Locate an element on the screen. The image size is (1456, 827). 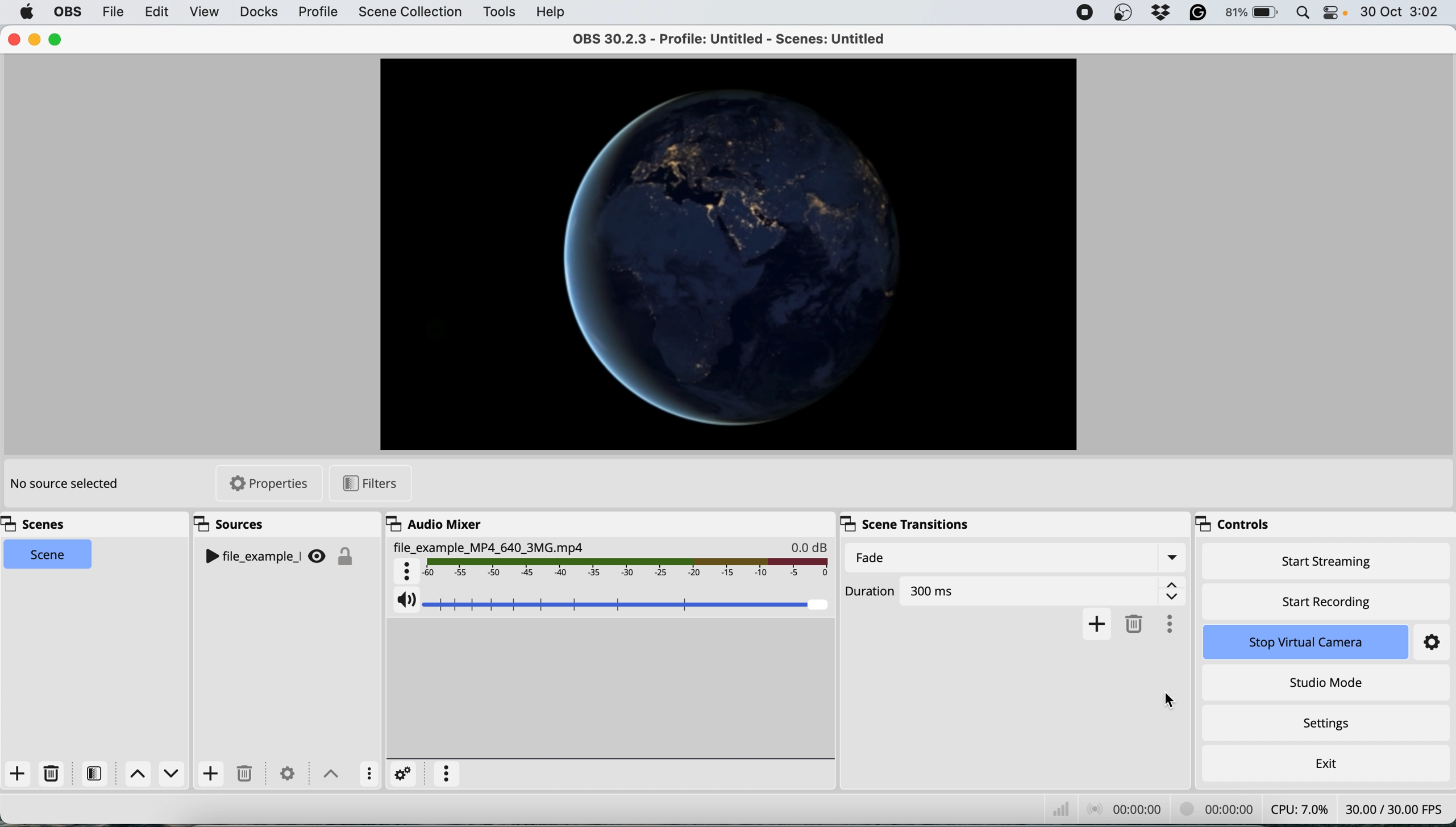
stop virtual camera is located at coordinates (1304, 640).